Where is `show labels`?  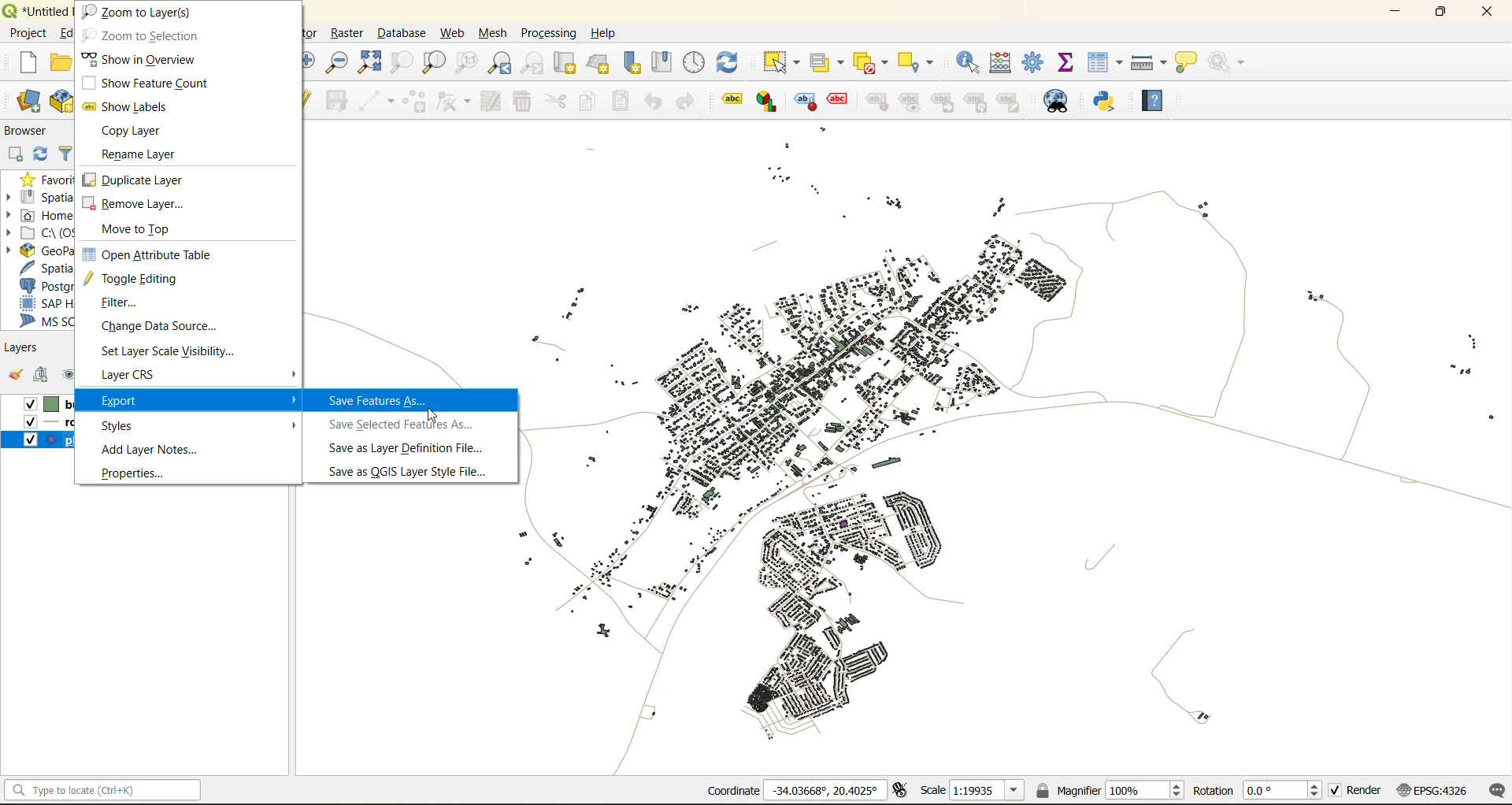 show labels is located at coordinates (132, 106).